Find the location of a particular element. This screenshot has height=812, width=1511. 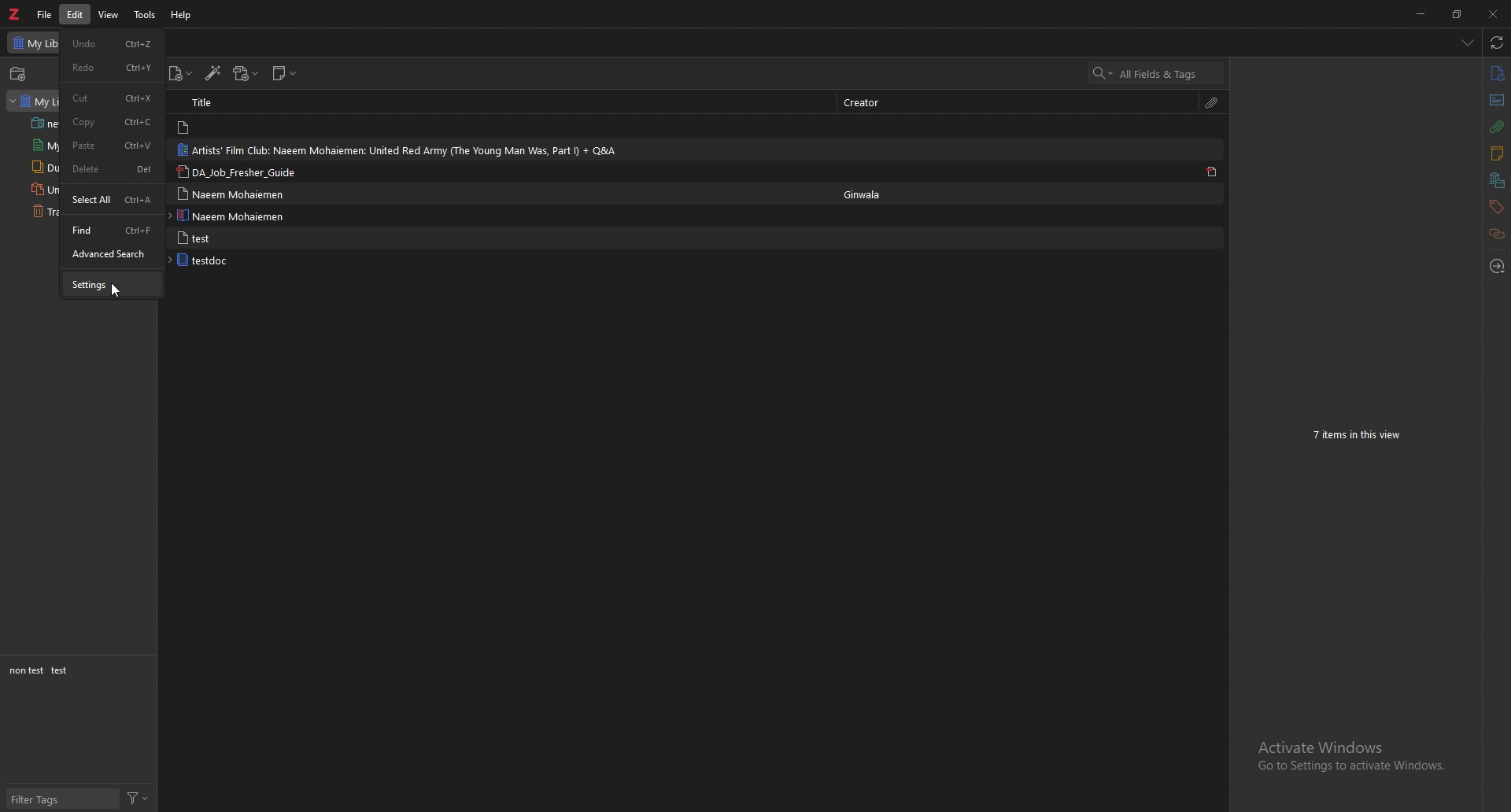

Ginwala is located at coordinates (868, 195).